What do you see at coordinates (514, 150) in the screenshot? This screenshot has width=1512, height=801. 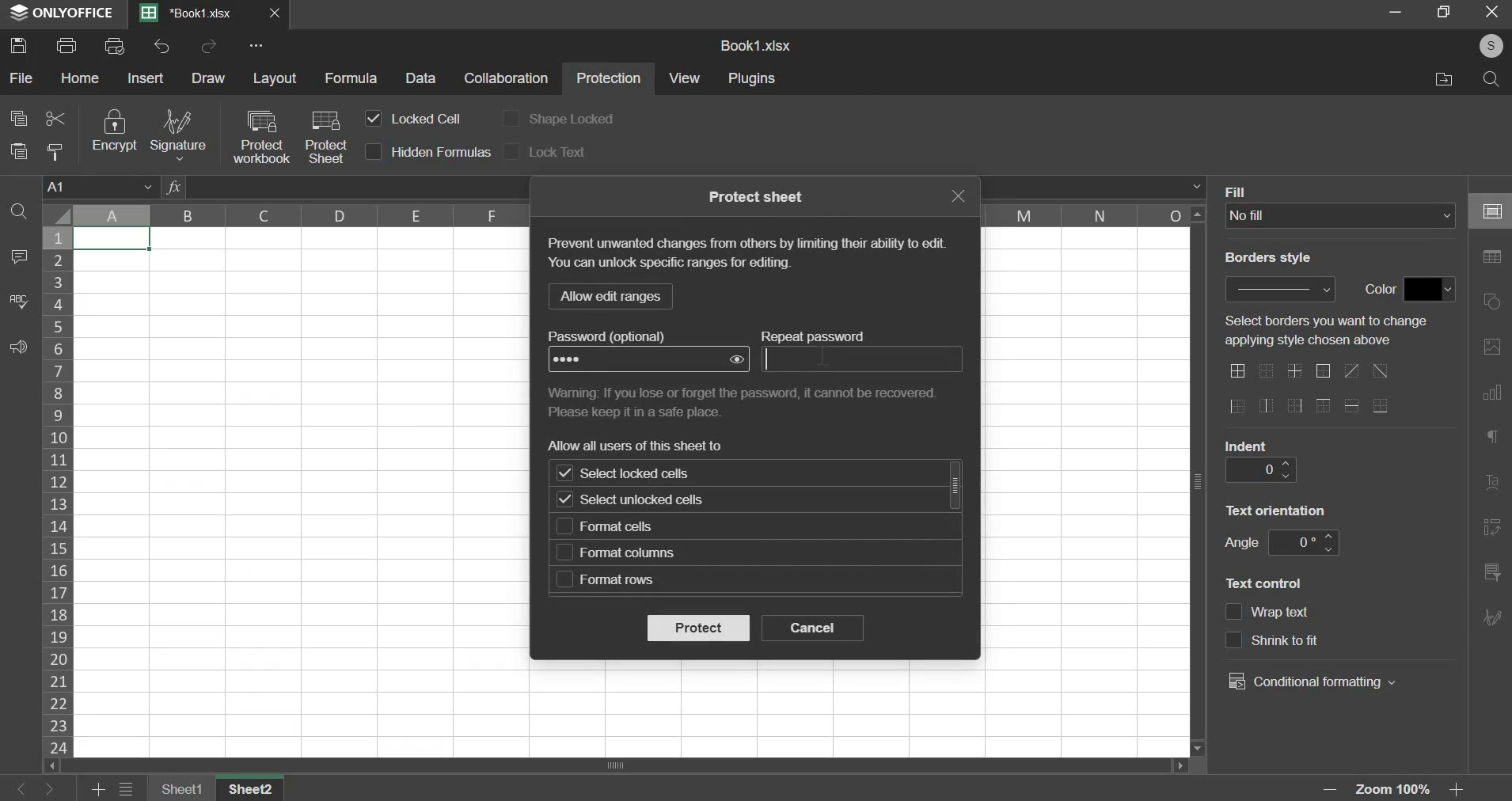 I see `checkbox` at bounding box center [514, 150].